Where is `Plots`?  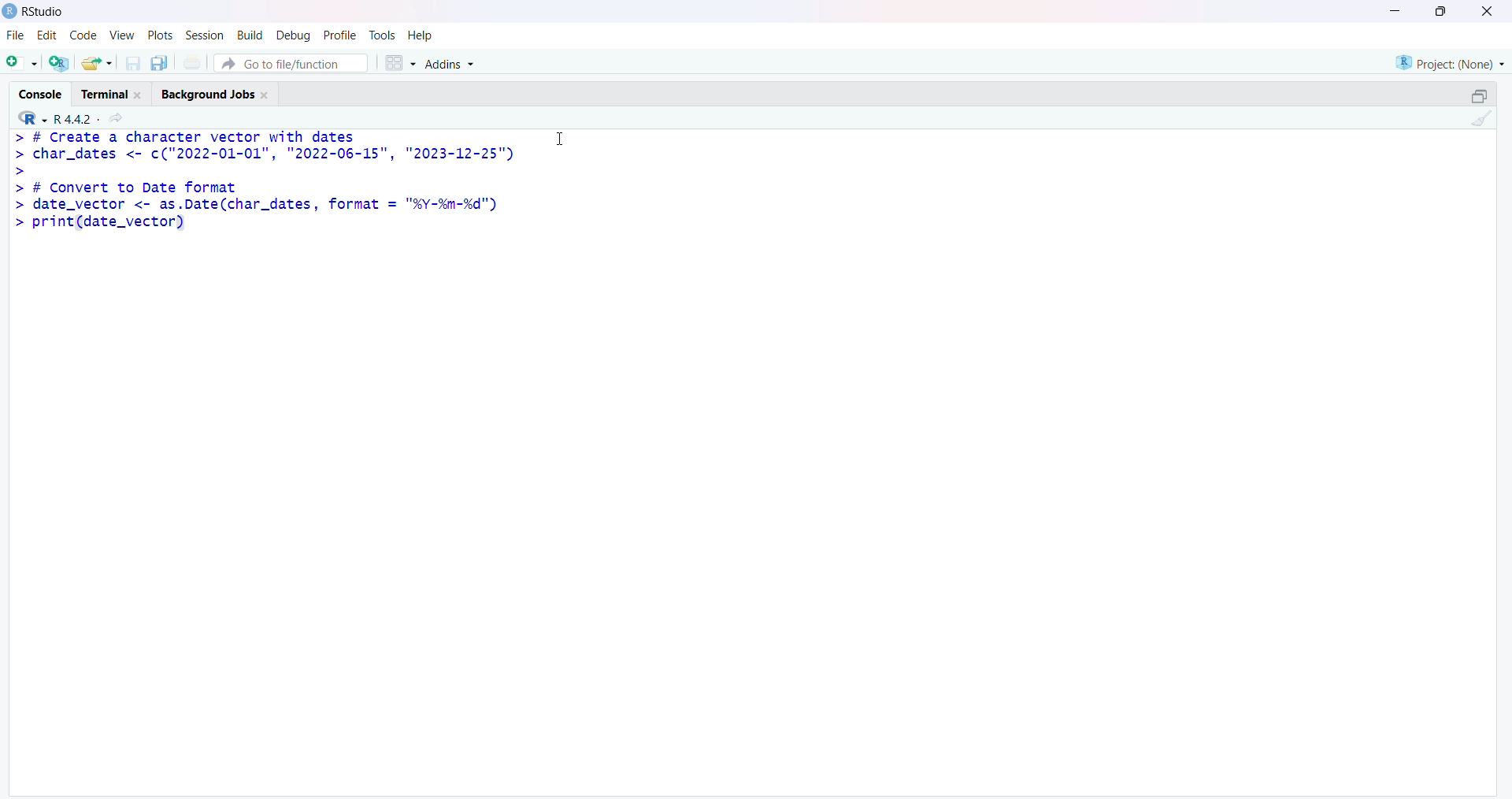
Plots is located at coordinates (158, 35).